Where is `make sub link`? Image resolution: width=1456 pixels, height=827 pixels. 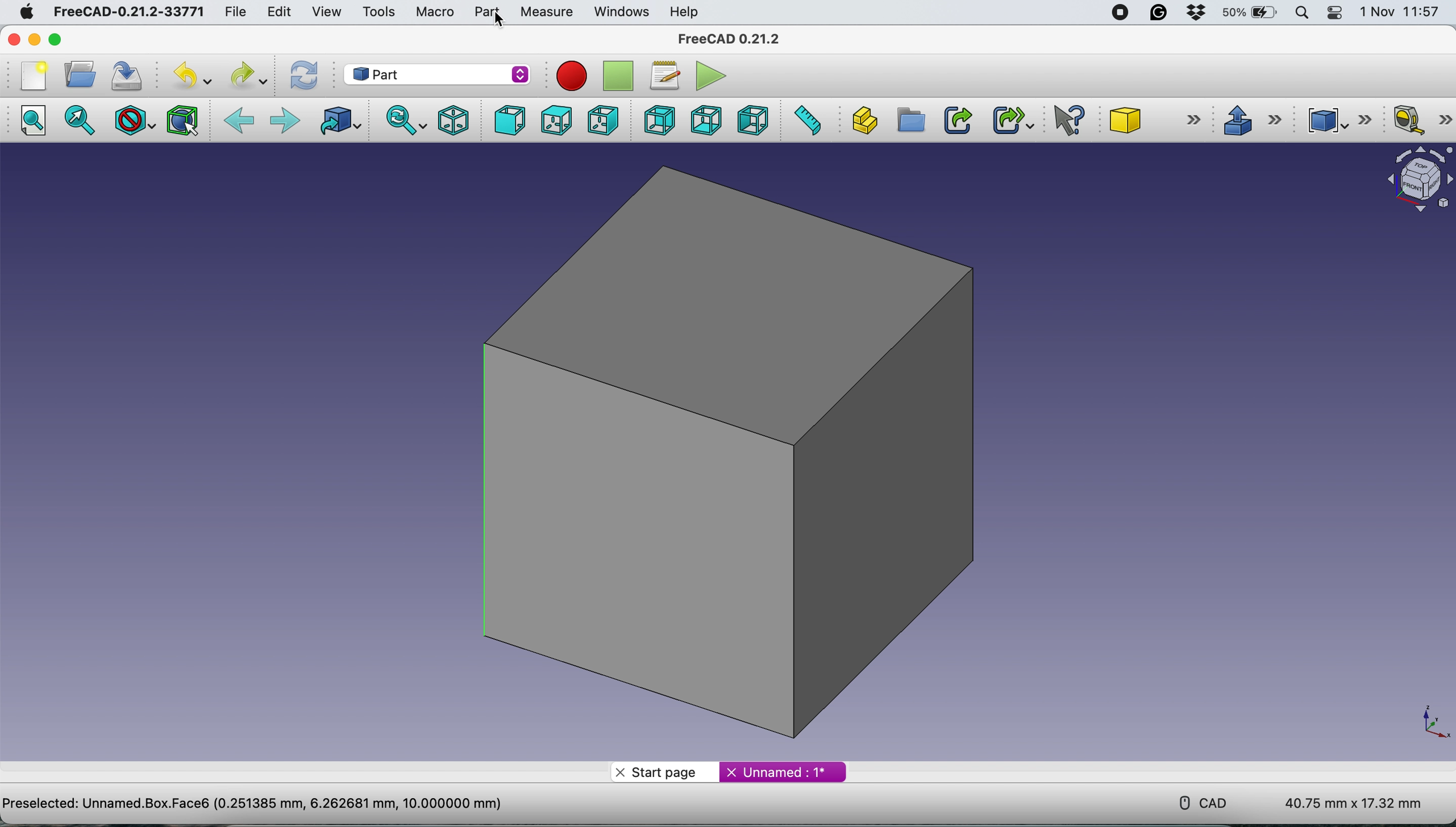
make sub link is located at coordinates (1013, 119).